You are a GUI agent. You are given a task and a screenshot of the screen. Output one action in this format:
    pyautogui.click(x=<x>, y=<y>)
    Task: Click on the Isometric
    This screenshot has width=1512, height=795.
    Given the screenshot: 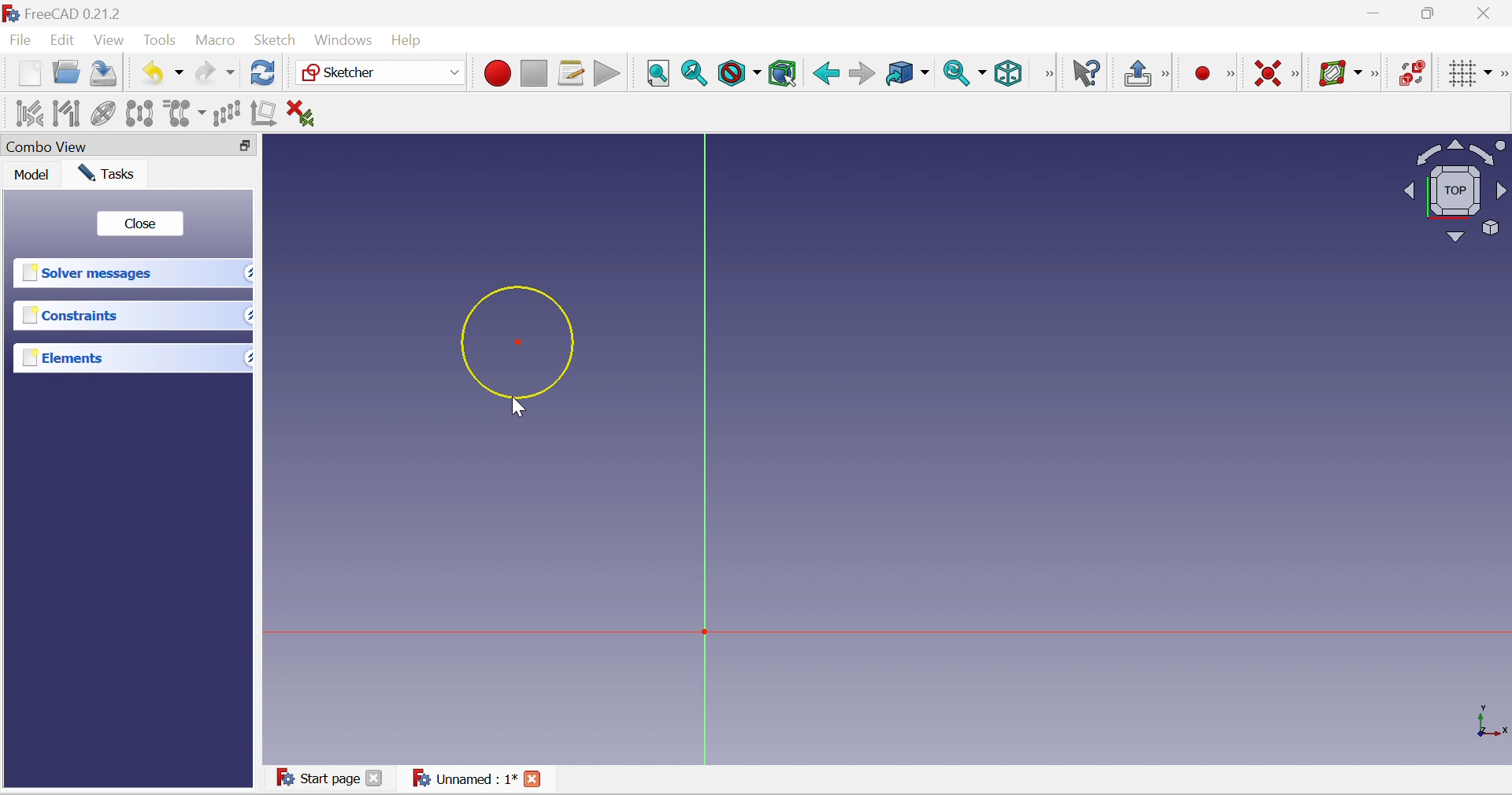 What is the action you would take?
    pyautogui.click(x=1007, y=73)
    